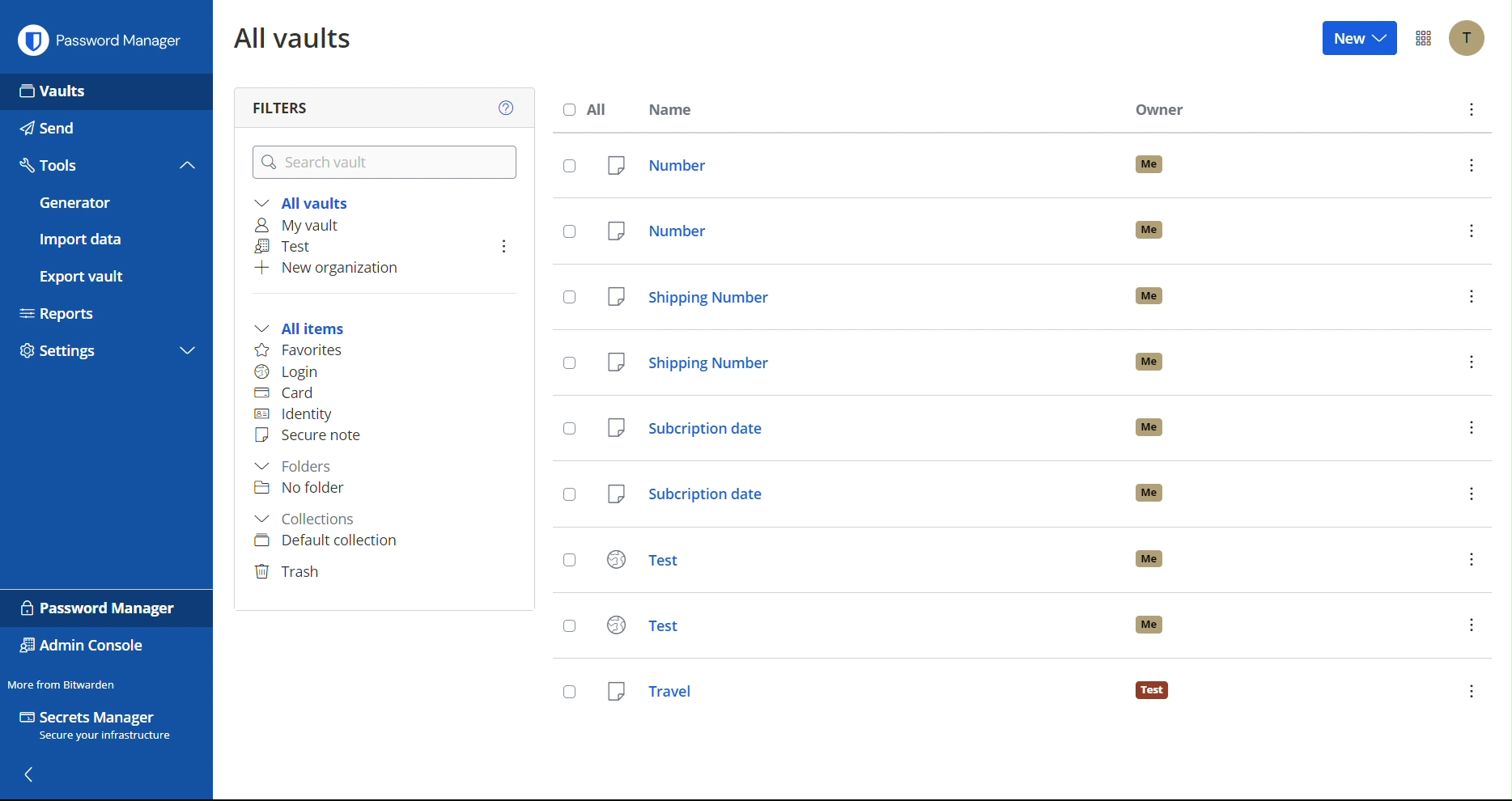 The height and width of the screenshot is (801, 1512). Describe the element at coordinates (567, 165) in the screenshot. I see `select entry` at that location.